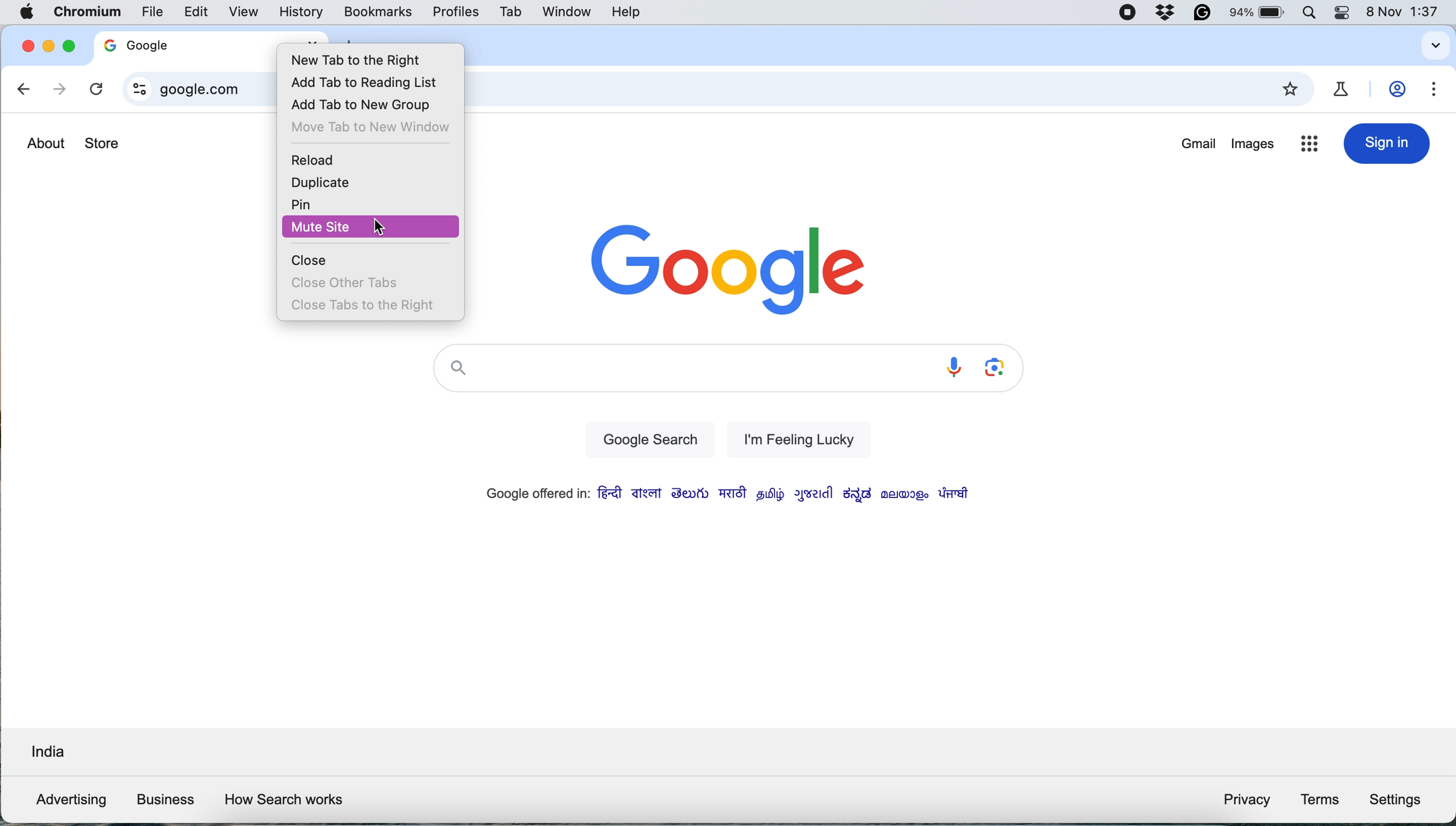  Describe the element at coordinates (310, 260) in the screenshot. I see `close` at that location.